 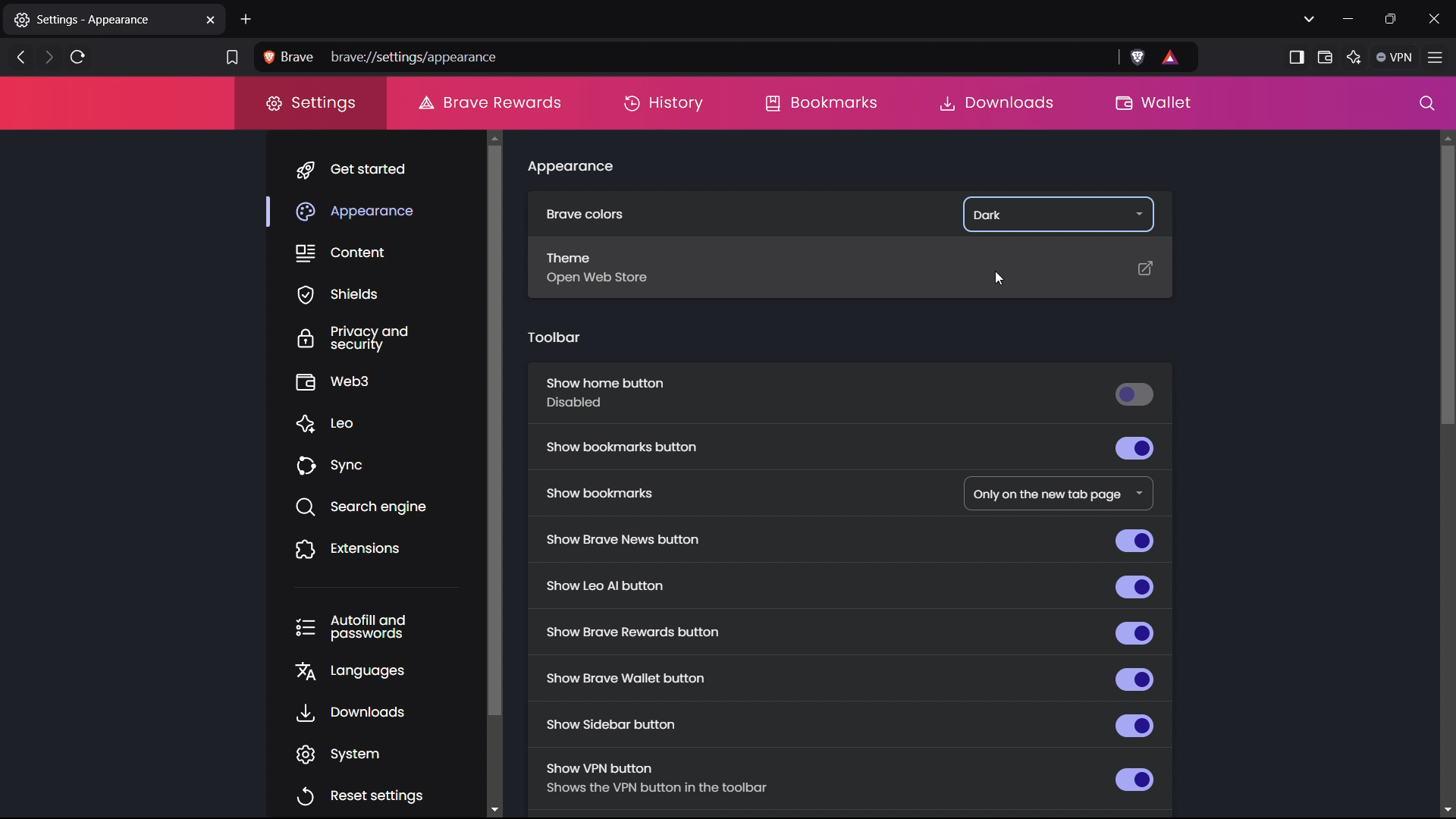 I want to click on refresh page, so click(x=77, y=57).